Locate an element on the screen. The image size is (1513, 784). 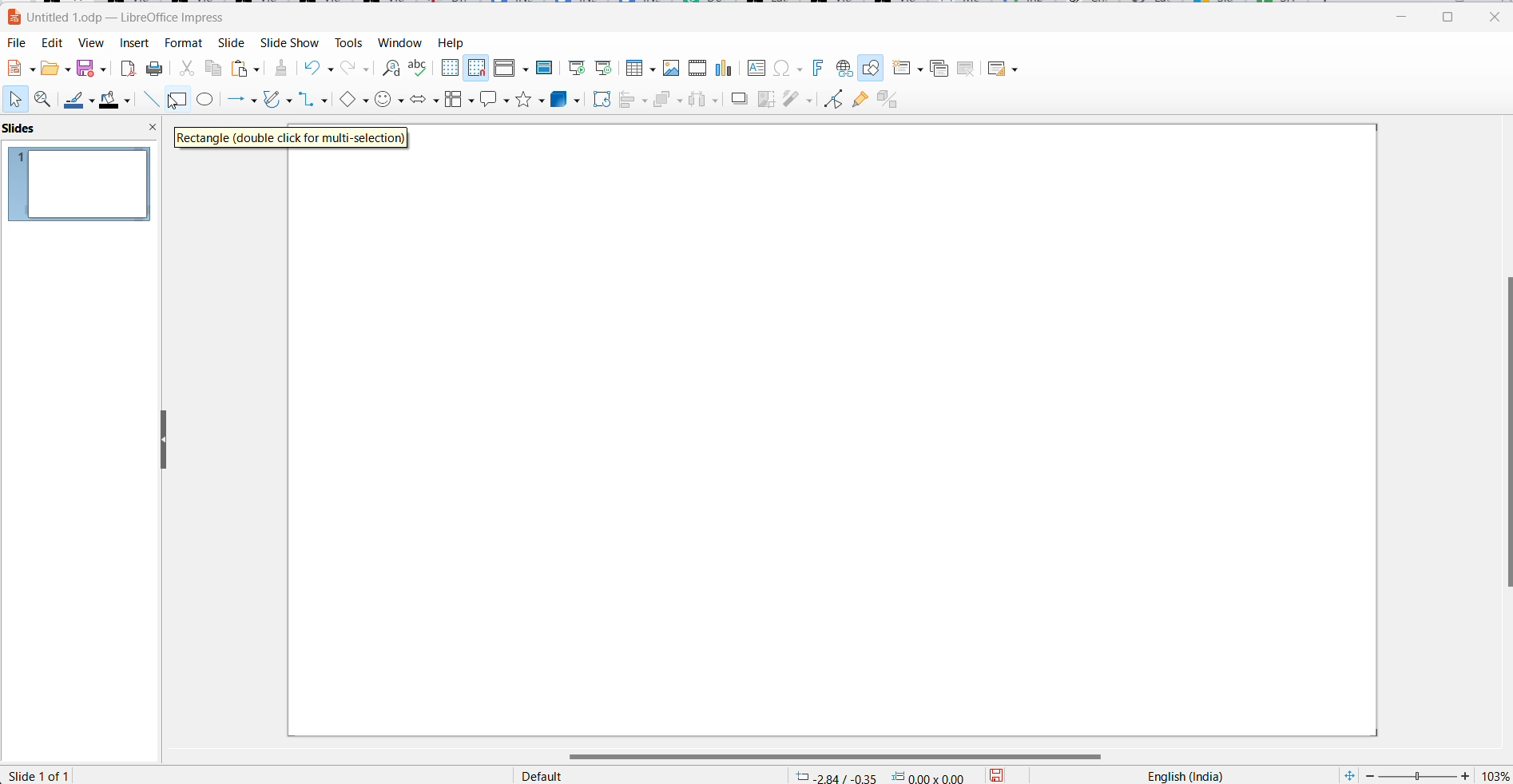
View is located at coordinates (91, 44).